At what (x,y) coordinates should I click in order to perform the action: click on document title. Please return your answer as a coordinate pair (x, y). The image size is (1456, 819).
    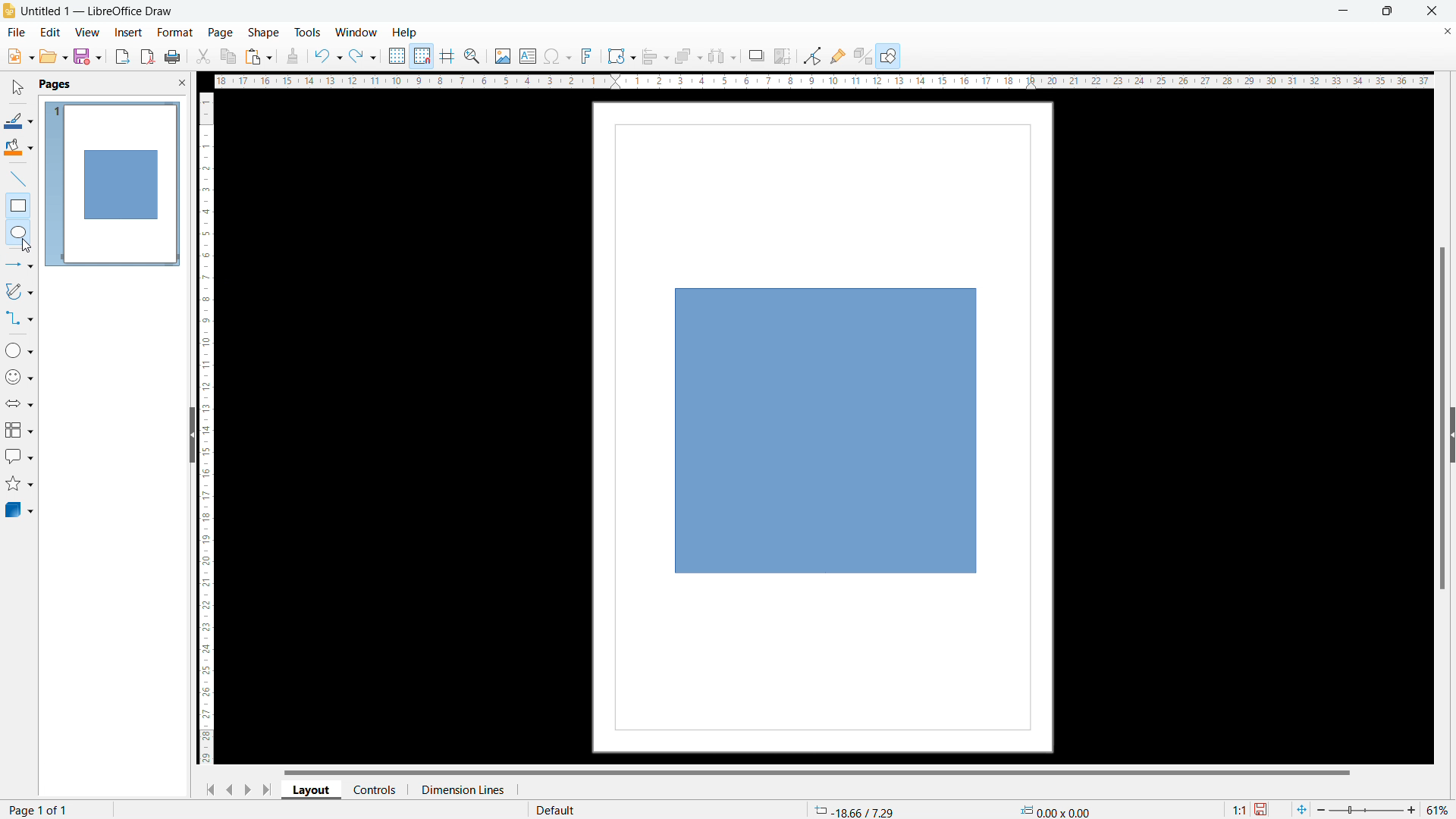
    Looking at the image, I should click on (100, 11).